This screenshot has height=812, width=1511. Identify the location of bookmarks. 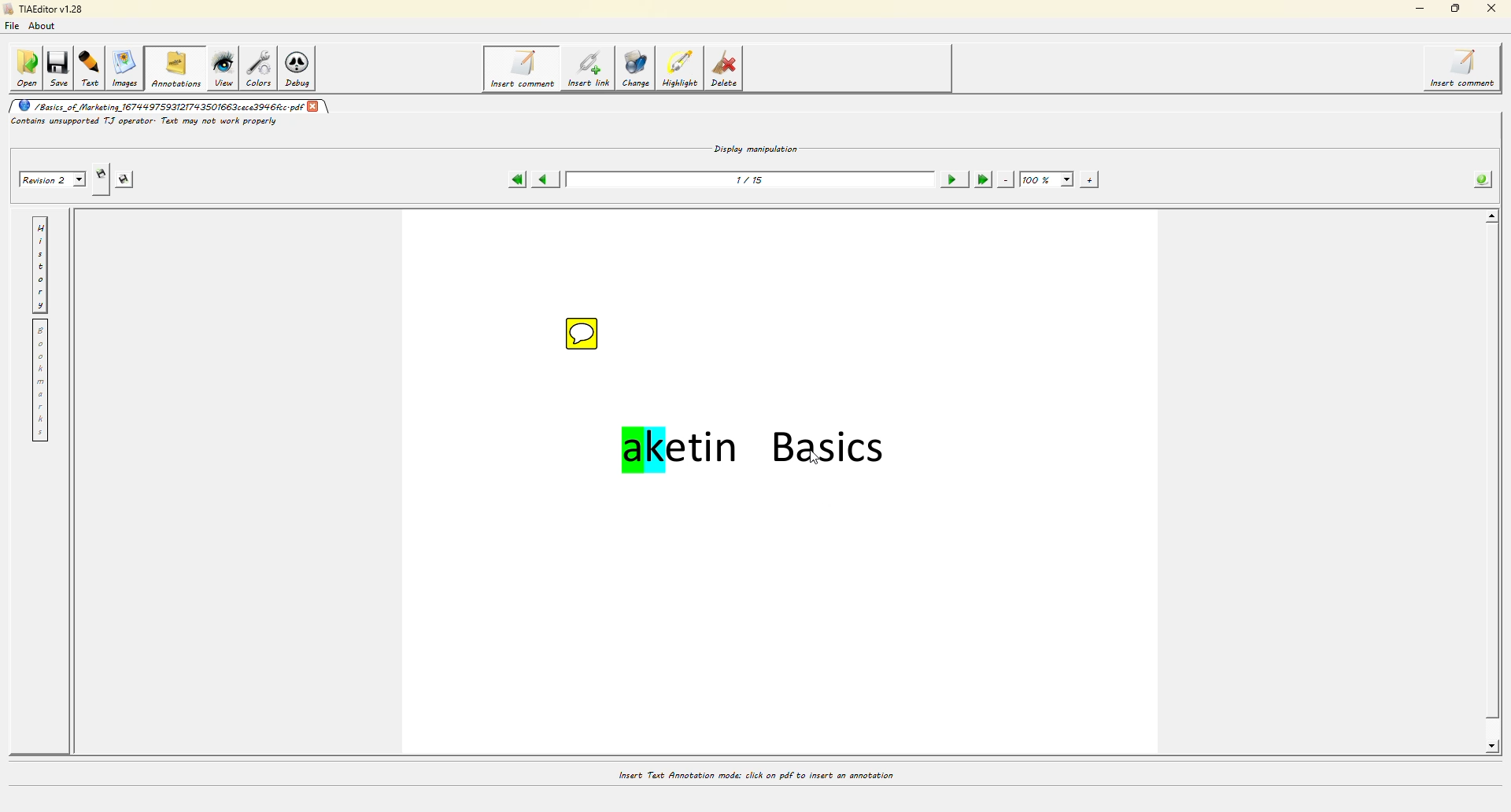
(39, 381).